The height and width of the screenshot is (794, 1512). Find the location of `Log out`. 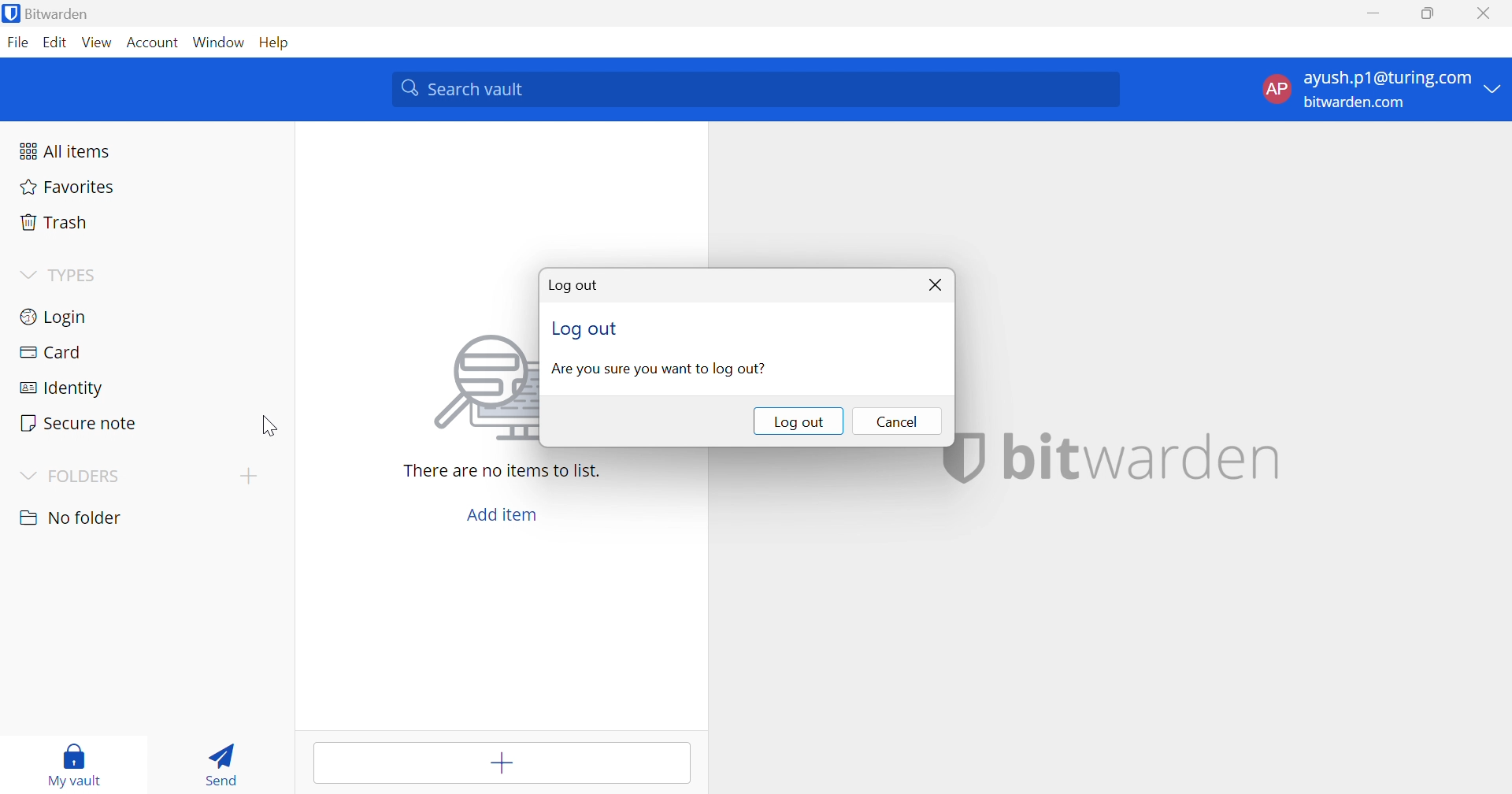

Log out is located at coordinates (575, 284).